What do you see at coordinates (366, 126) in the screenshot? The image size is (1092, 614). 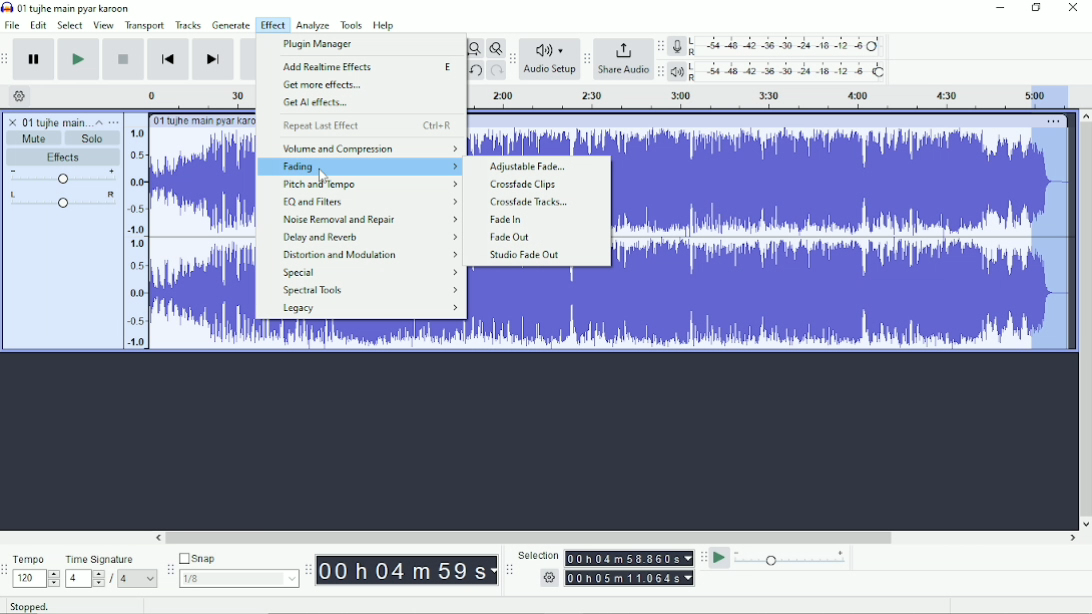 I see `Repeat last effect` at bounding box center [366, 126].